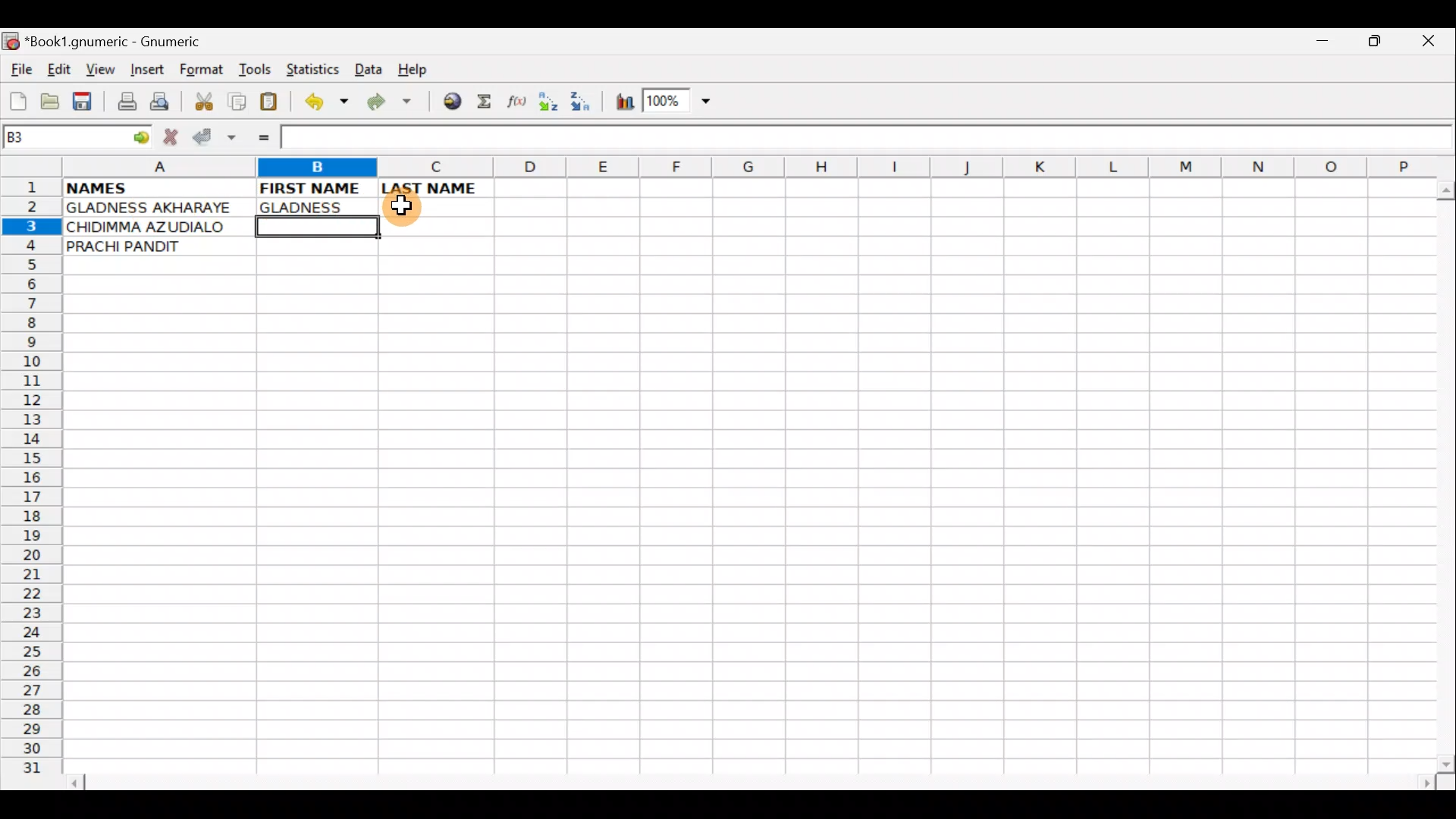 The image size is (1456, 819). Describe the element at coordinates (152, 227) in the screenshot. I see `CHIDIMMA AZUDIALO` at that location.